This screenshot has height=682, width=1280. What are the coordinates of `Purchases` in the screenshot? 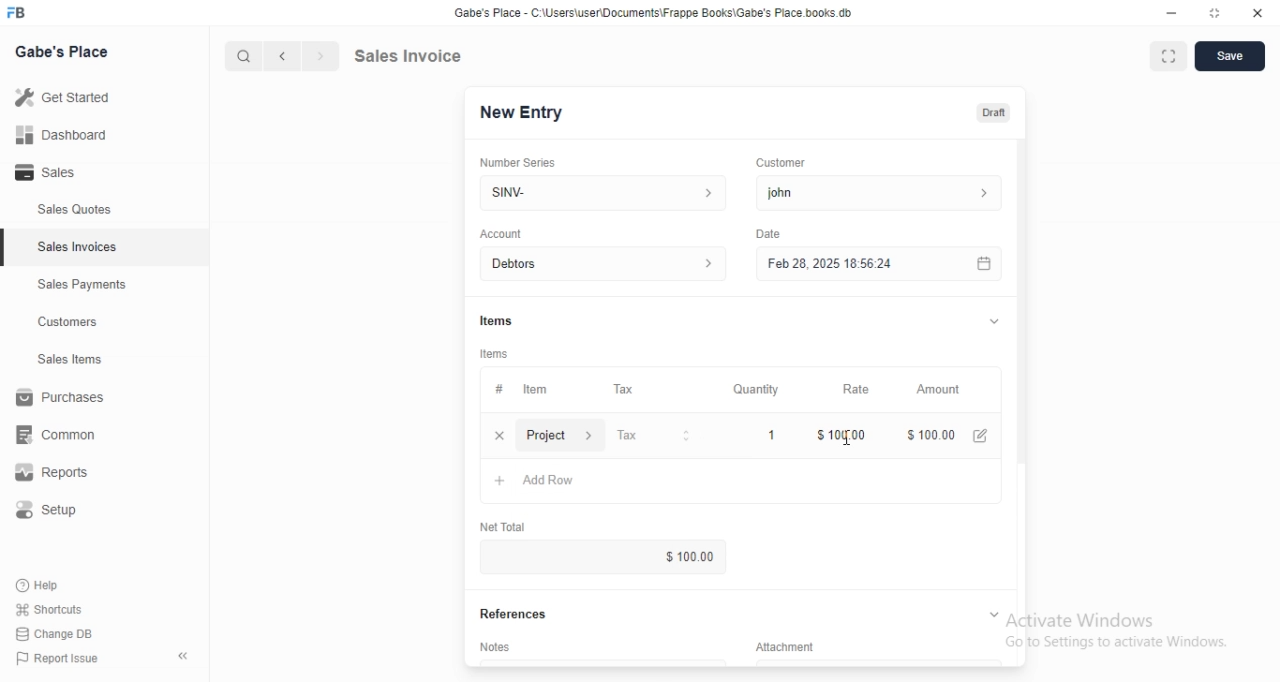 It's located at (64, 400).